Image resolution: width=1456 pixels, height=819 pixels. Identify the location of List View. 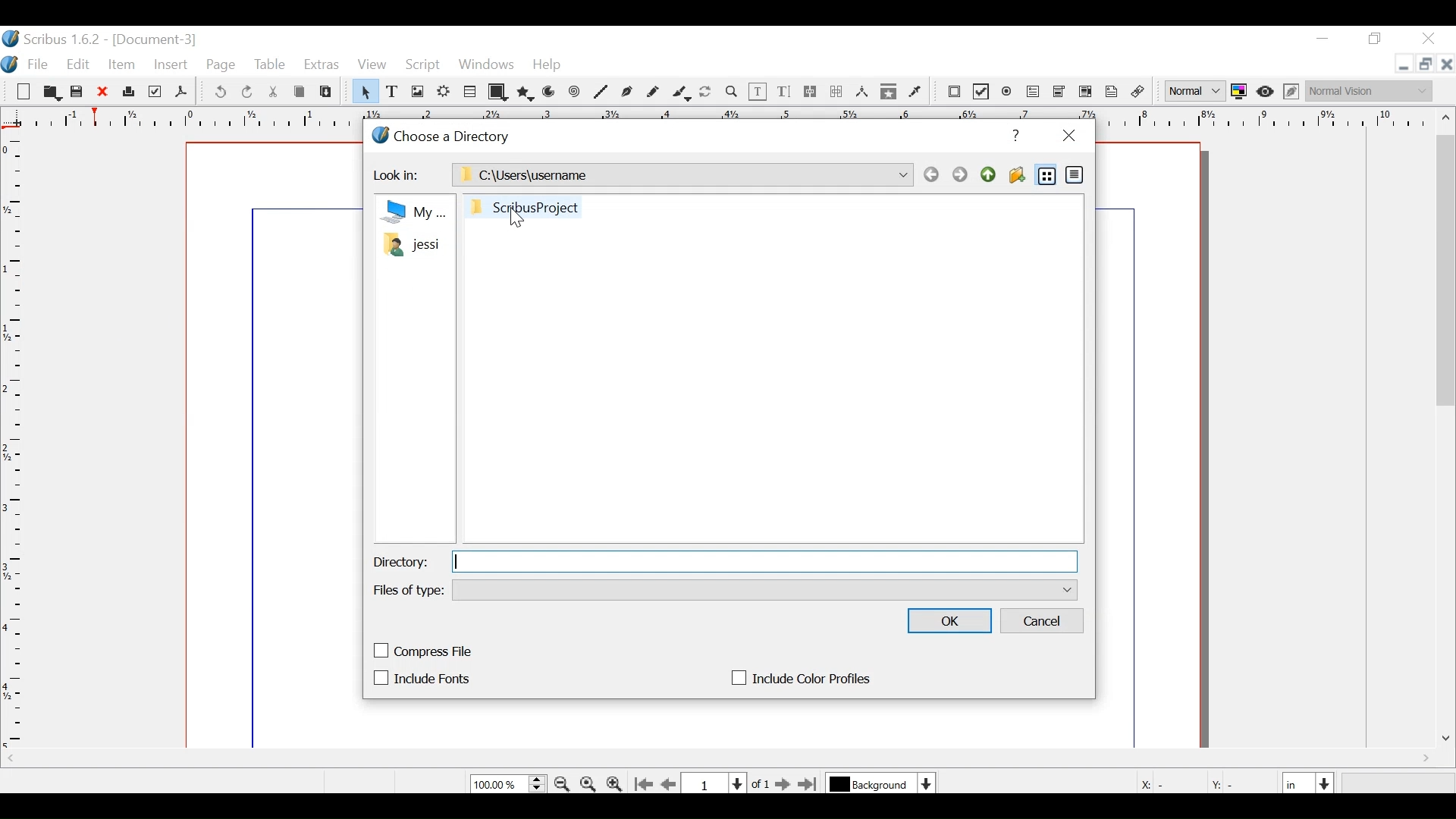
(1047, 174).